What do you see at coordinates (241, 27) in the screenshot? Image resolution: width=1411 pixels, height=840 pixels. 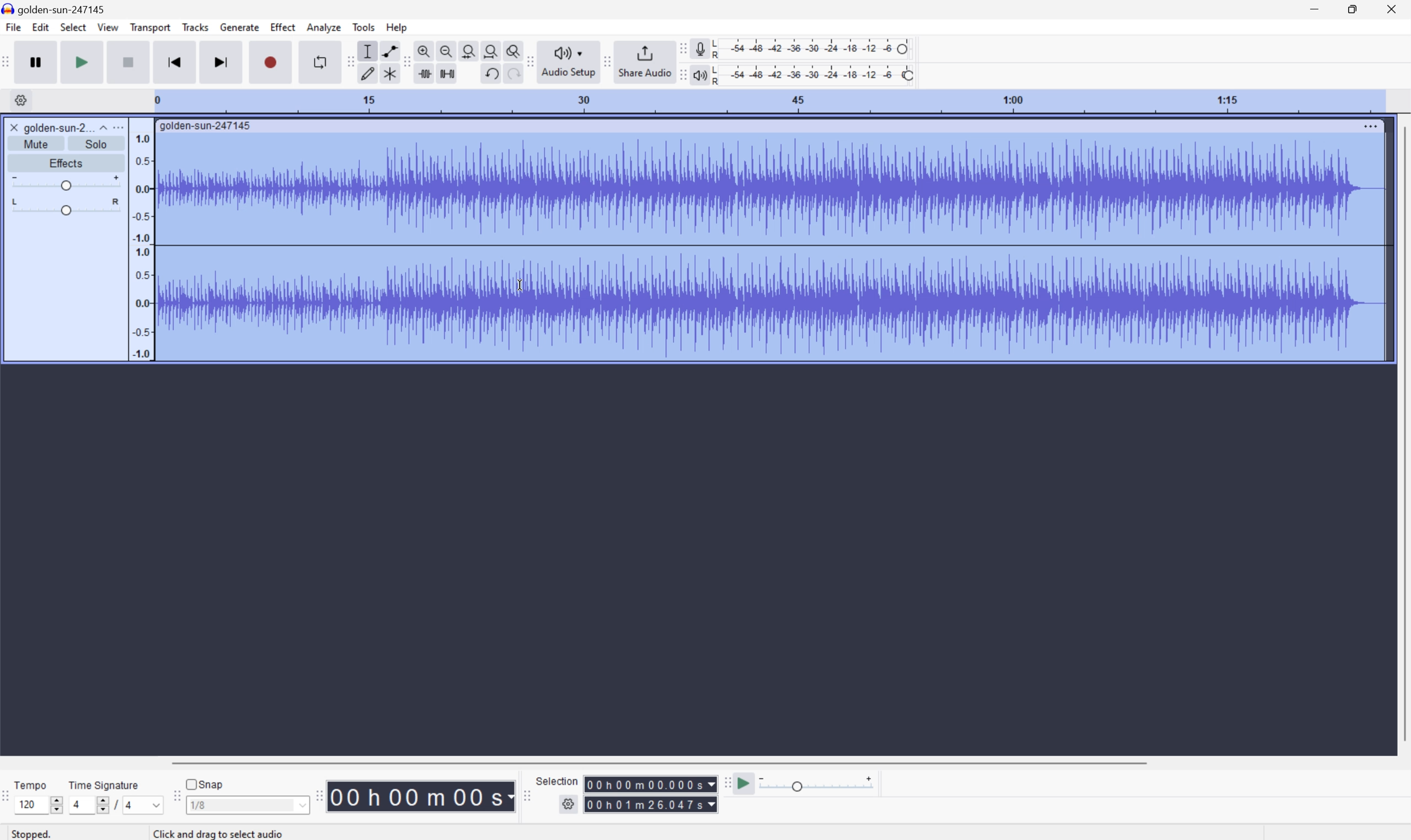 I see `Generate` at bounding box center [241, 27].